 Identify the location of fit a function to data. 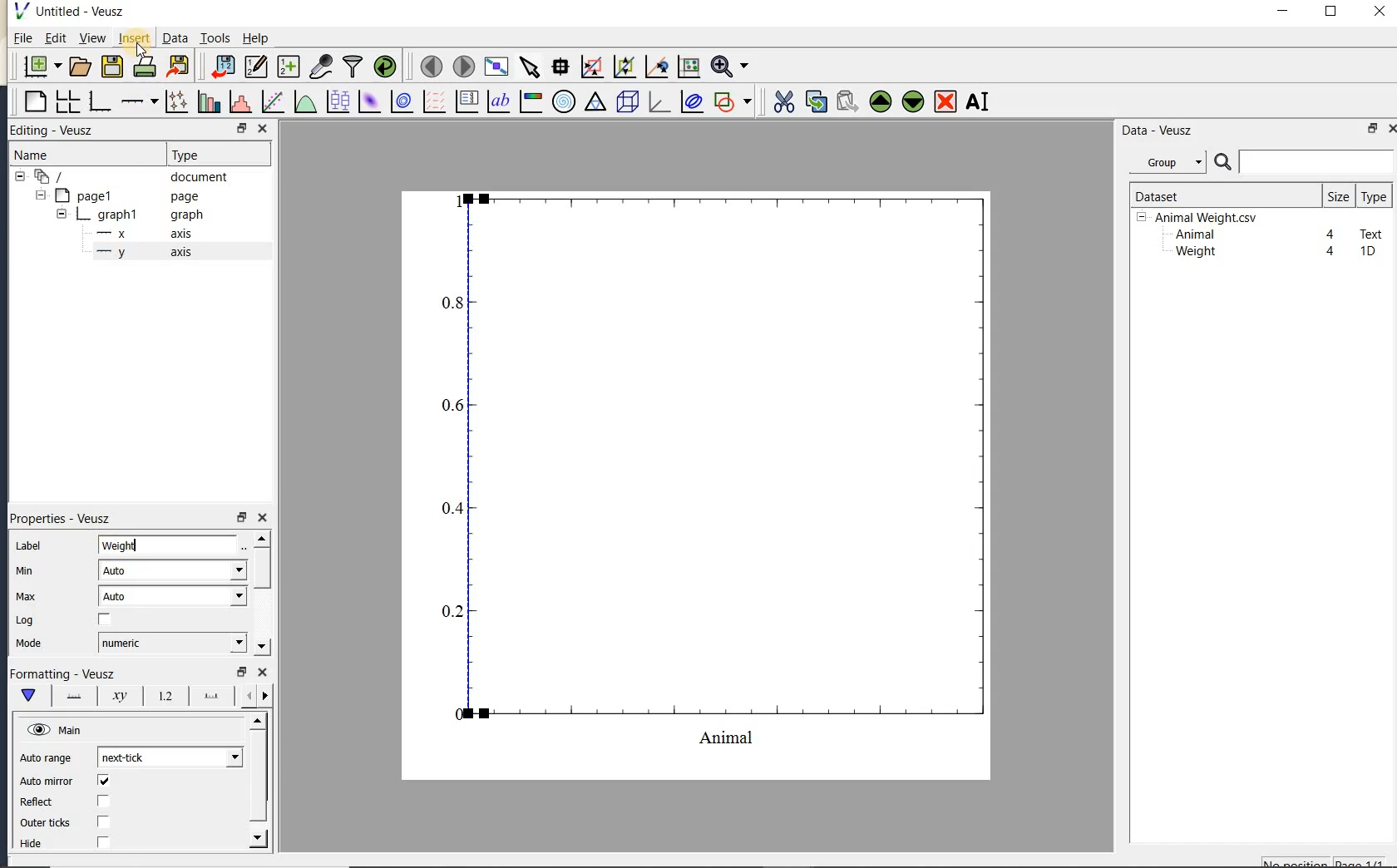
(272, 101).